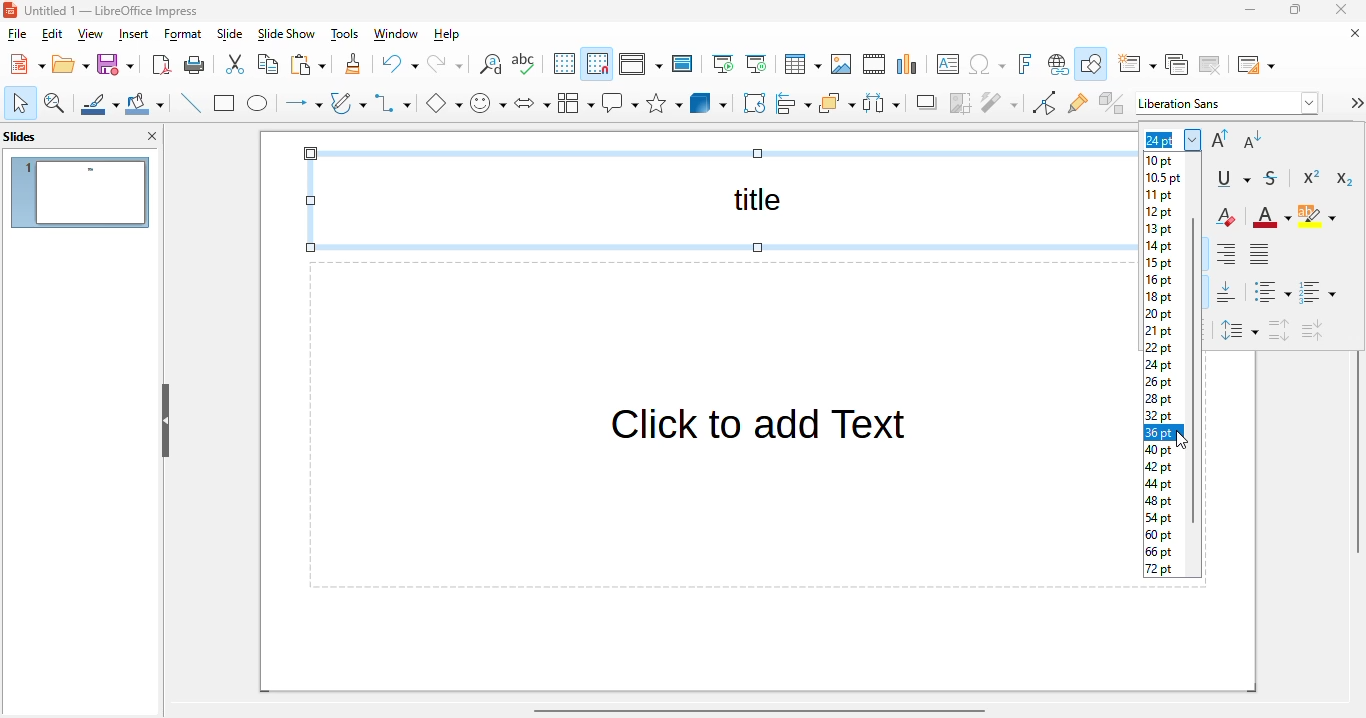  I want to click on flowchart, so click(575, 103).